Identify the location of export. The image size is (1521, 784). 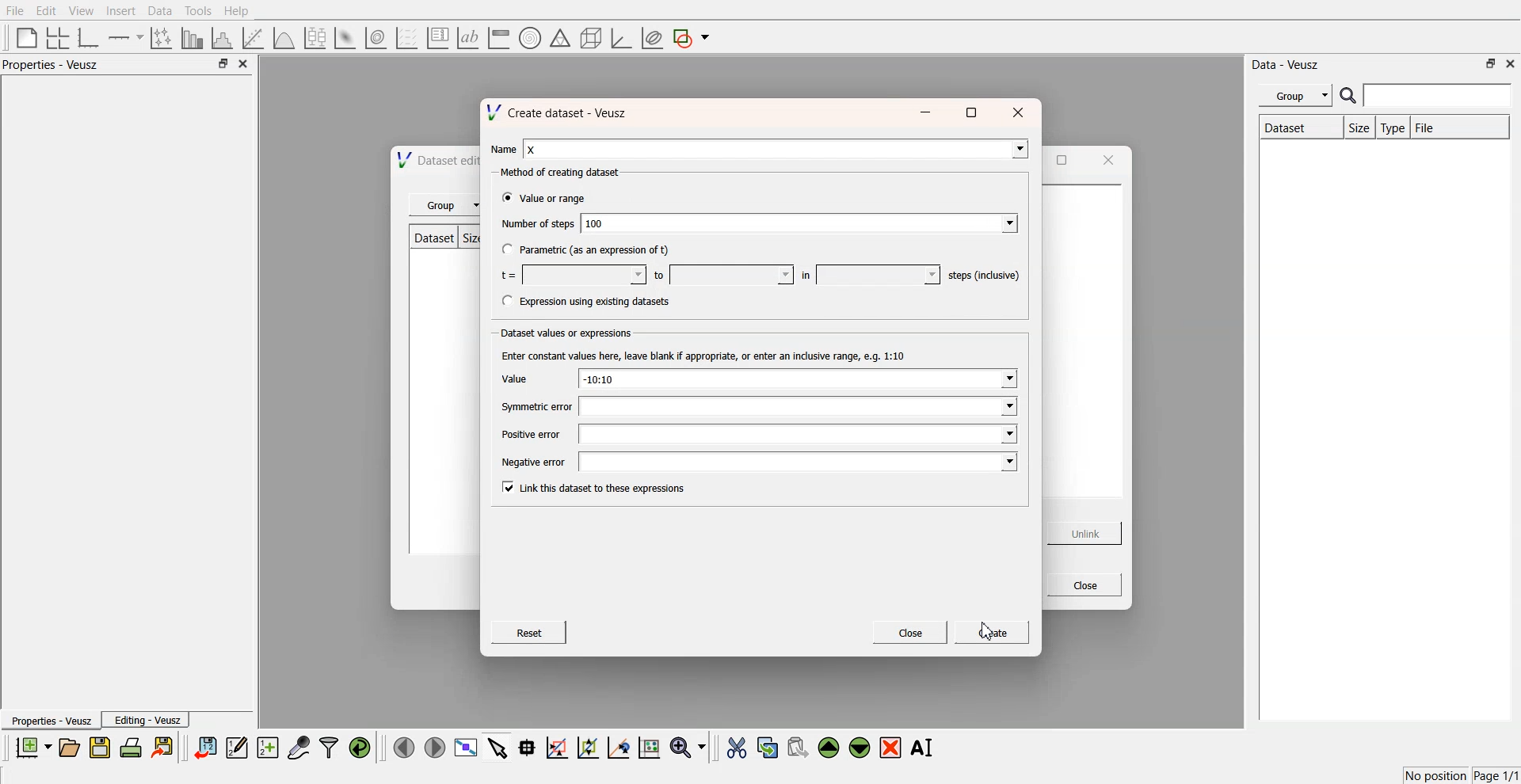
(164, 747).